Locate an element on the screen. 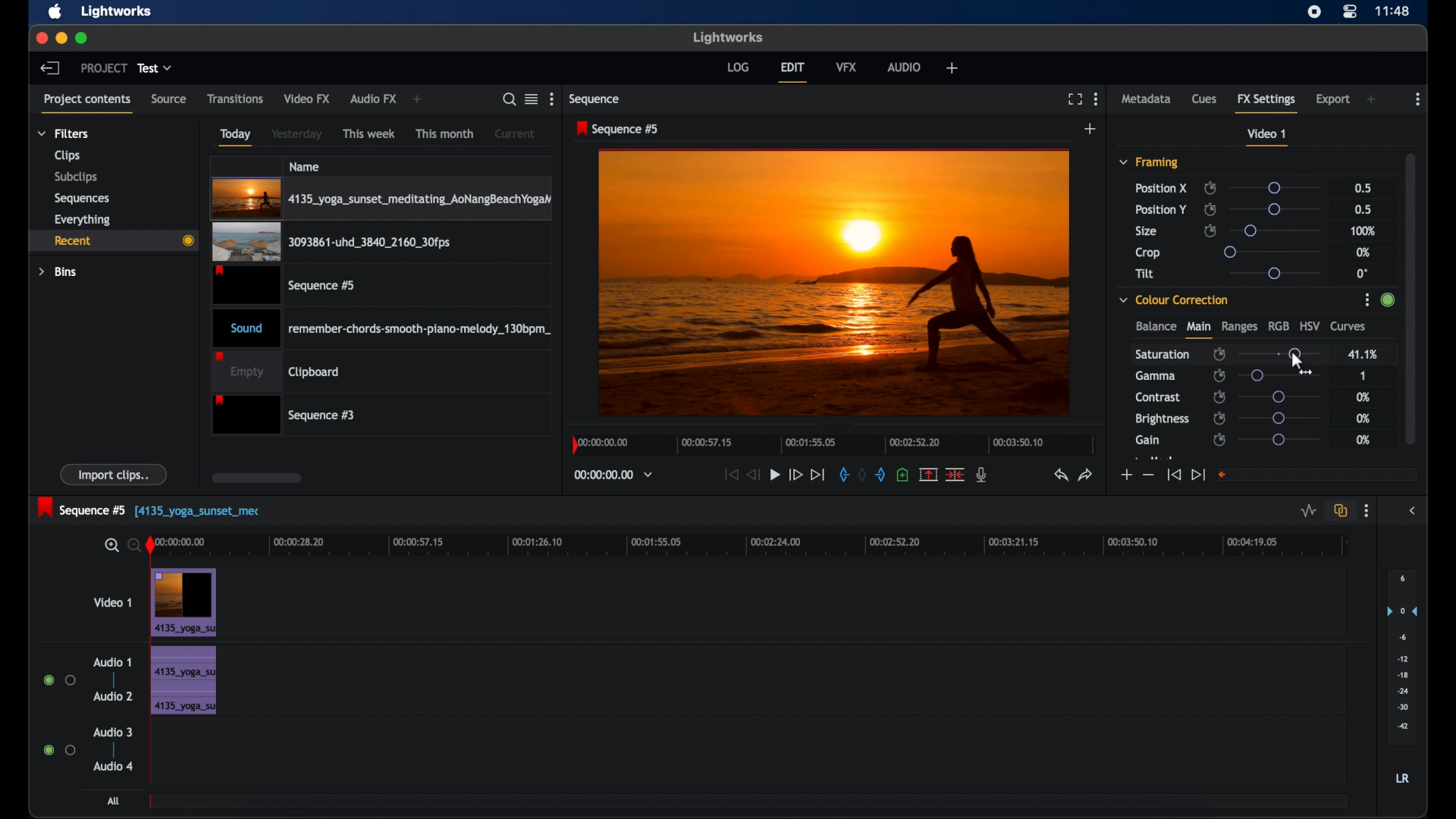   is located at coordinates (1200, 330).